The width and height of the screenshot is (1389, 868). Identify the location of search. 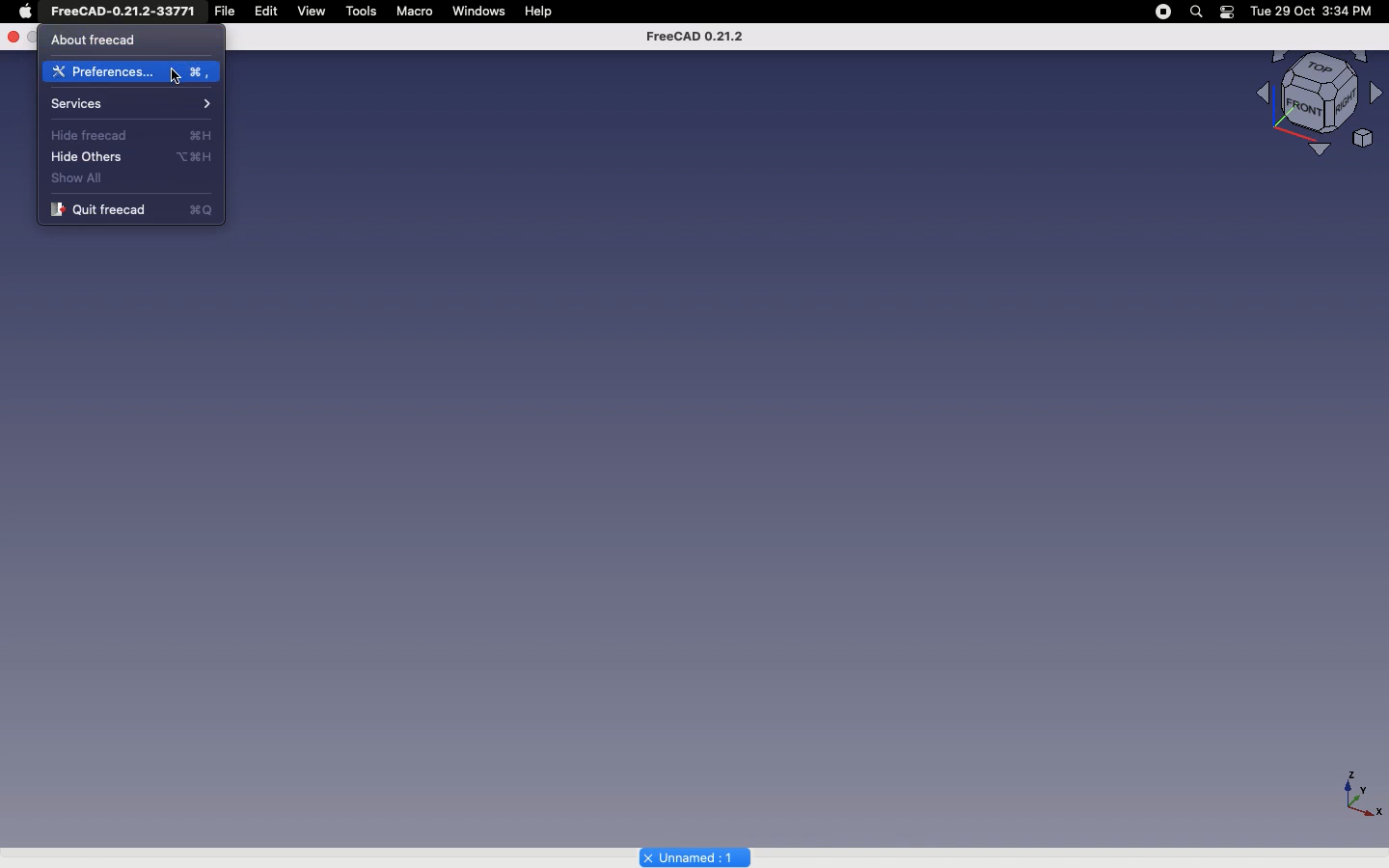
(1195, 12).